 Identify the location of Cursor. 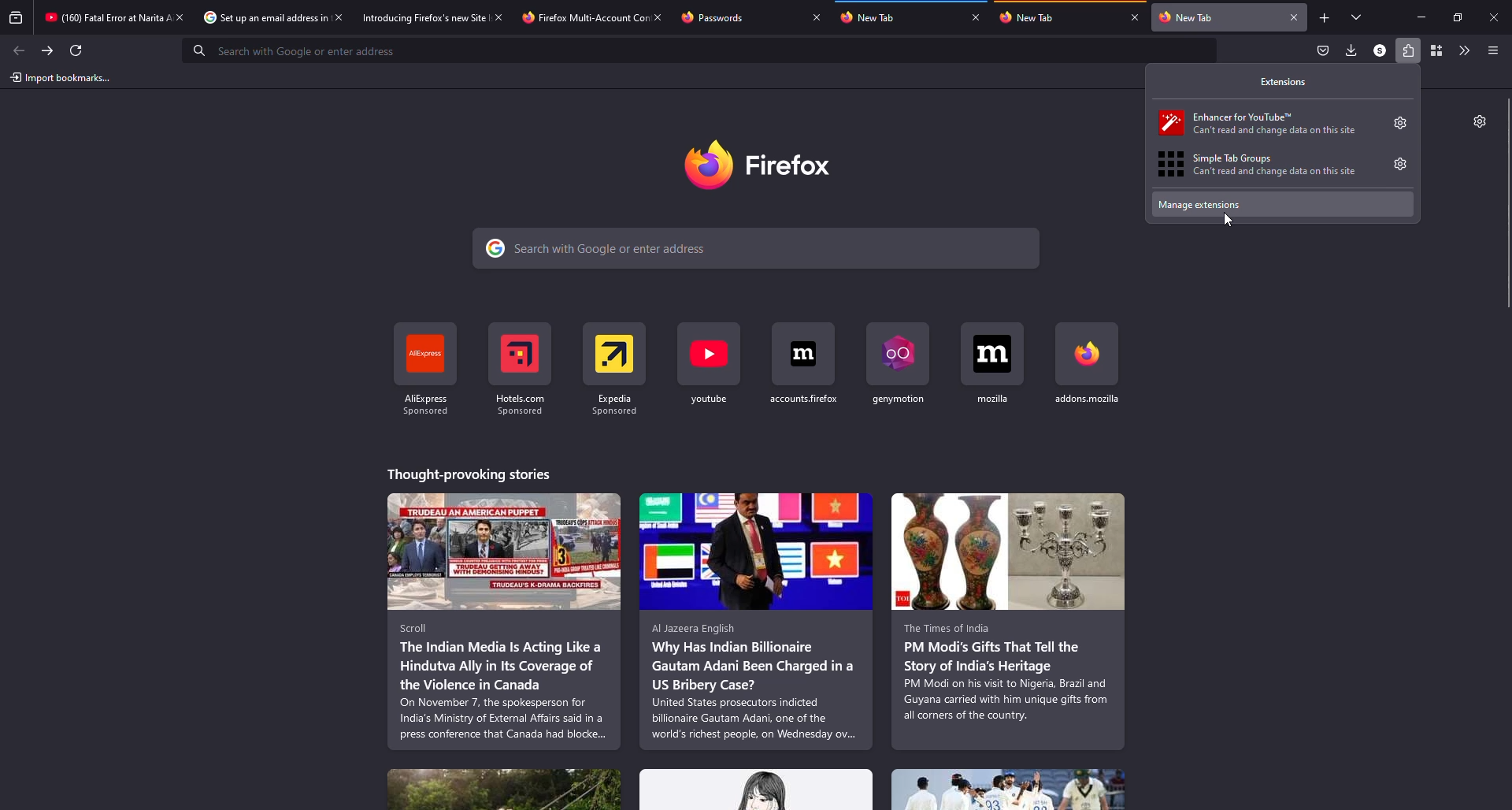
(1228, 221).